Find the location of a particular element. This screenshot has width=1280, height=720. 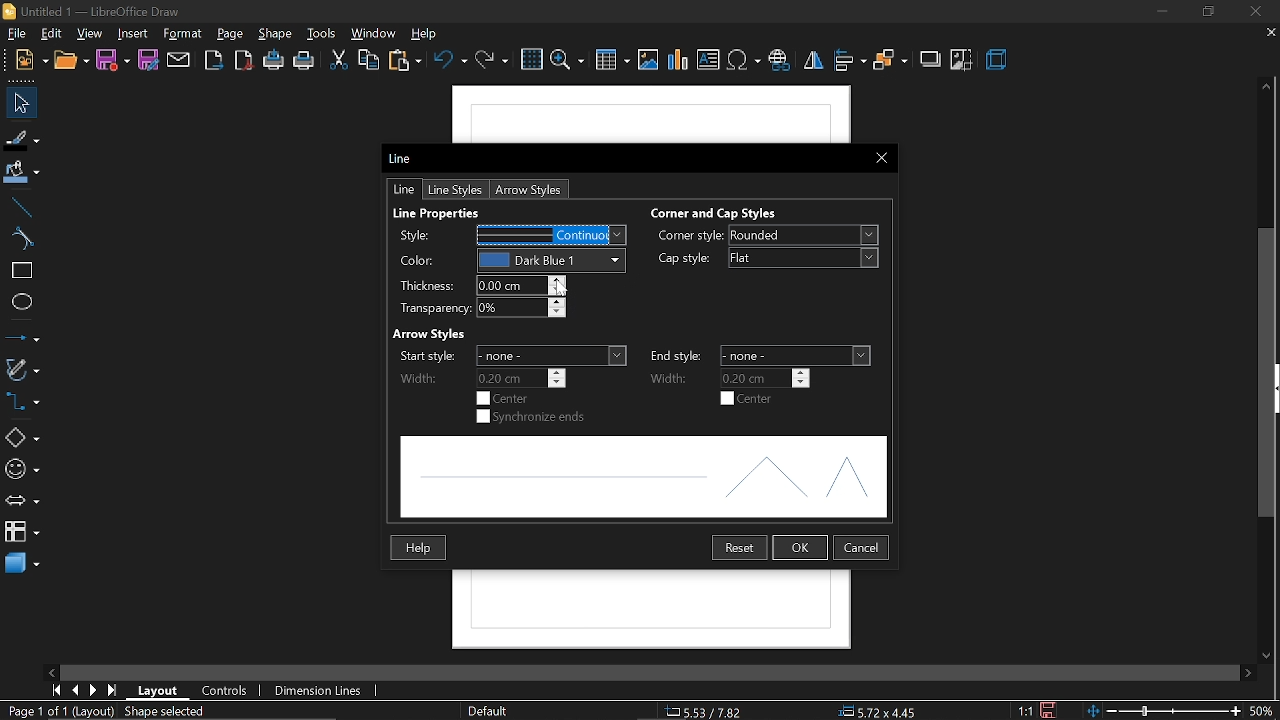

line is located at coordinates (22, 208).